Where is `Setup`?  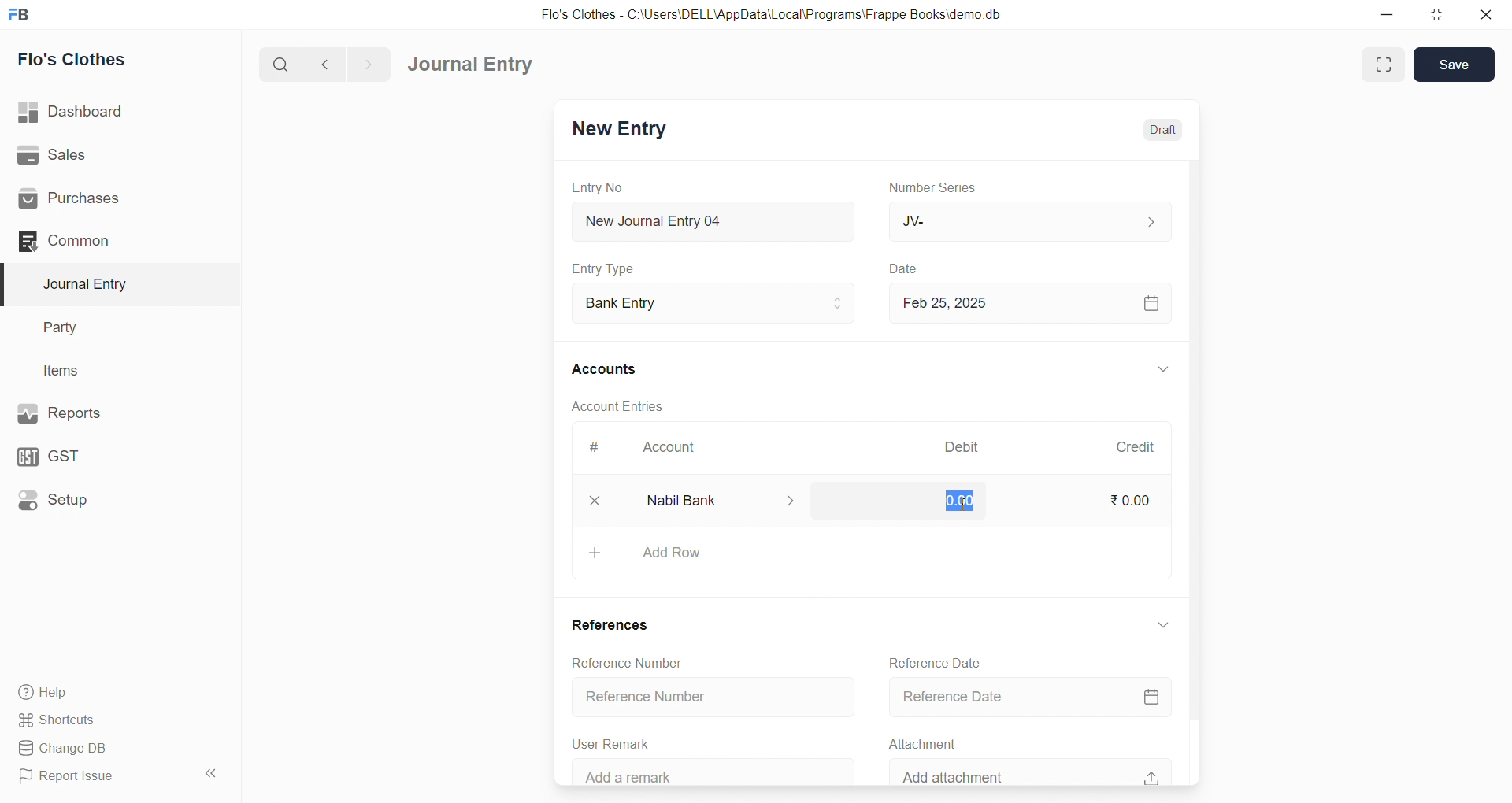
Setup is located at coordinates (111, 498).